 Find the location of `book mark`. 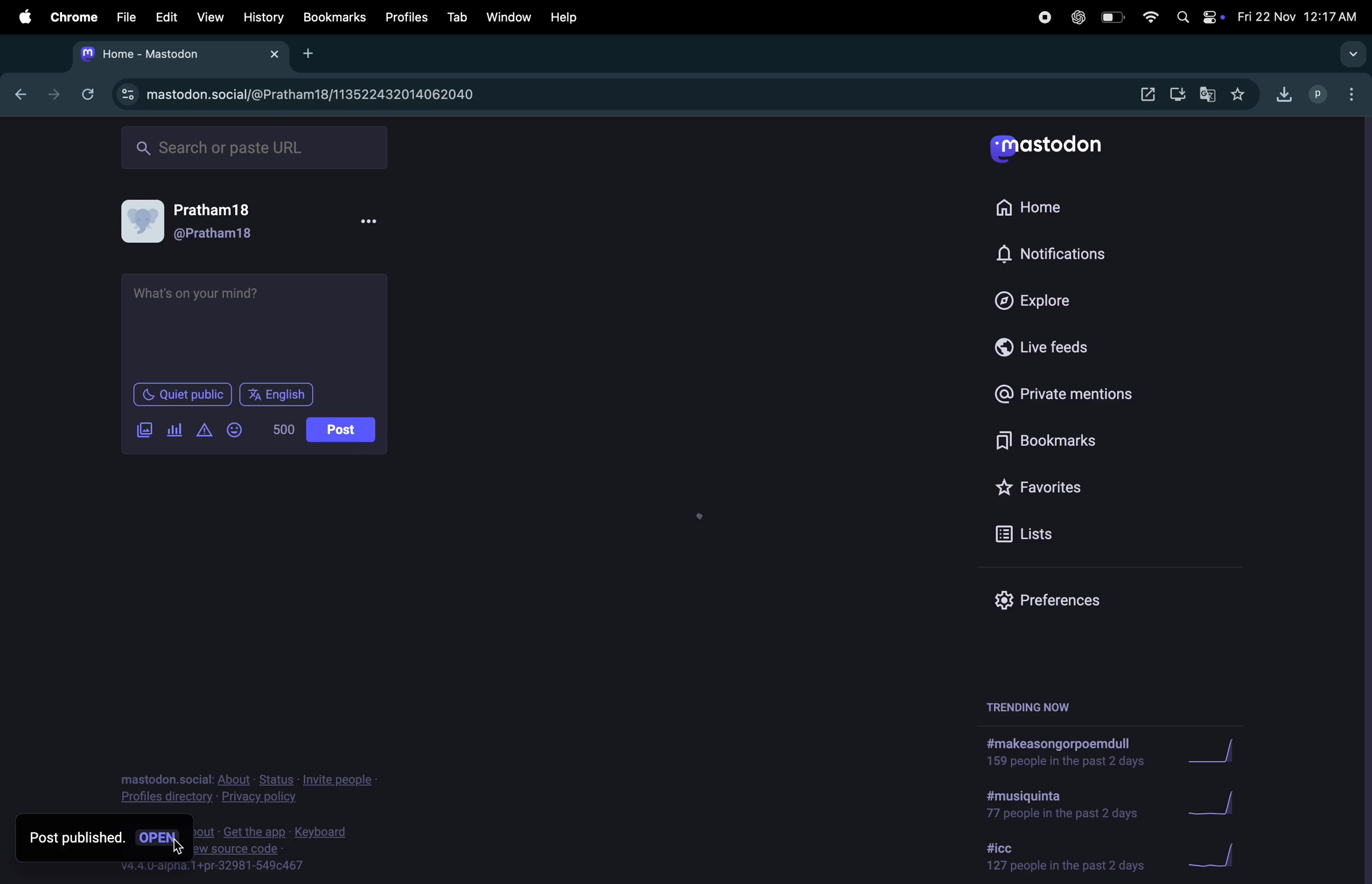

book mark is located at coordinates (1056, 441).